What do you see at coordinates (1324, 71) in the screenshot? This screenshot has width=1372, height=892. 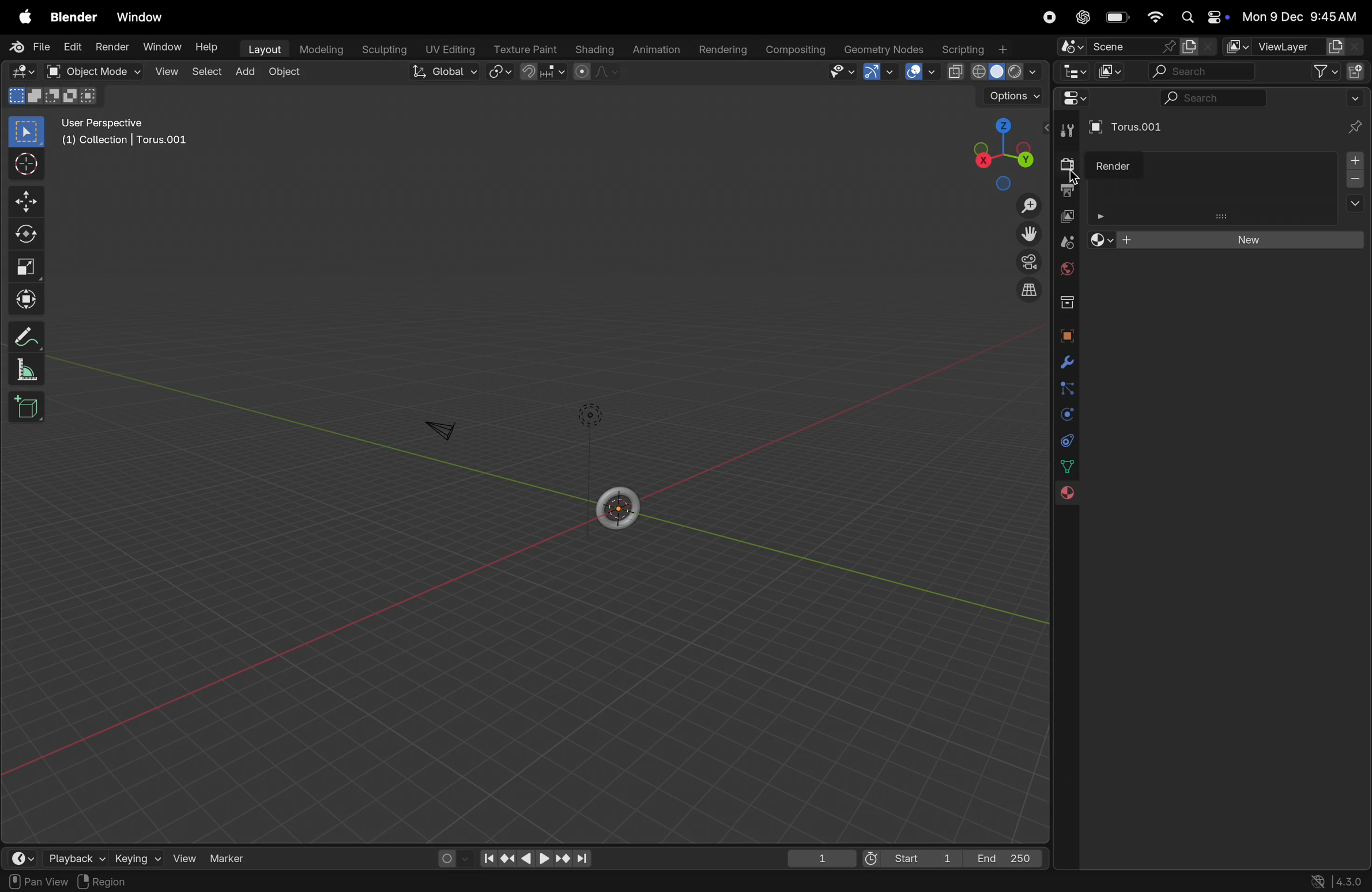 I see `filter` at bounding box center [1324, 71].